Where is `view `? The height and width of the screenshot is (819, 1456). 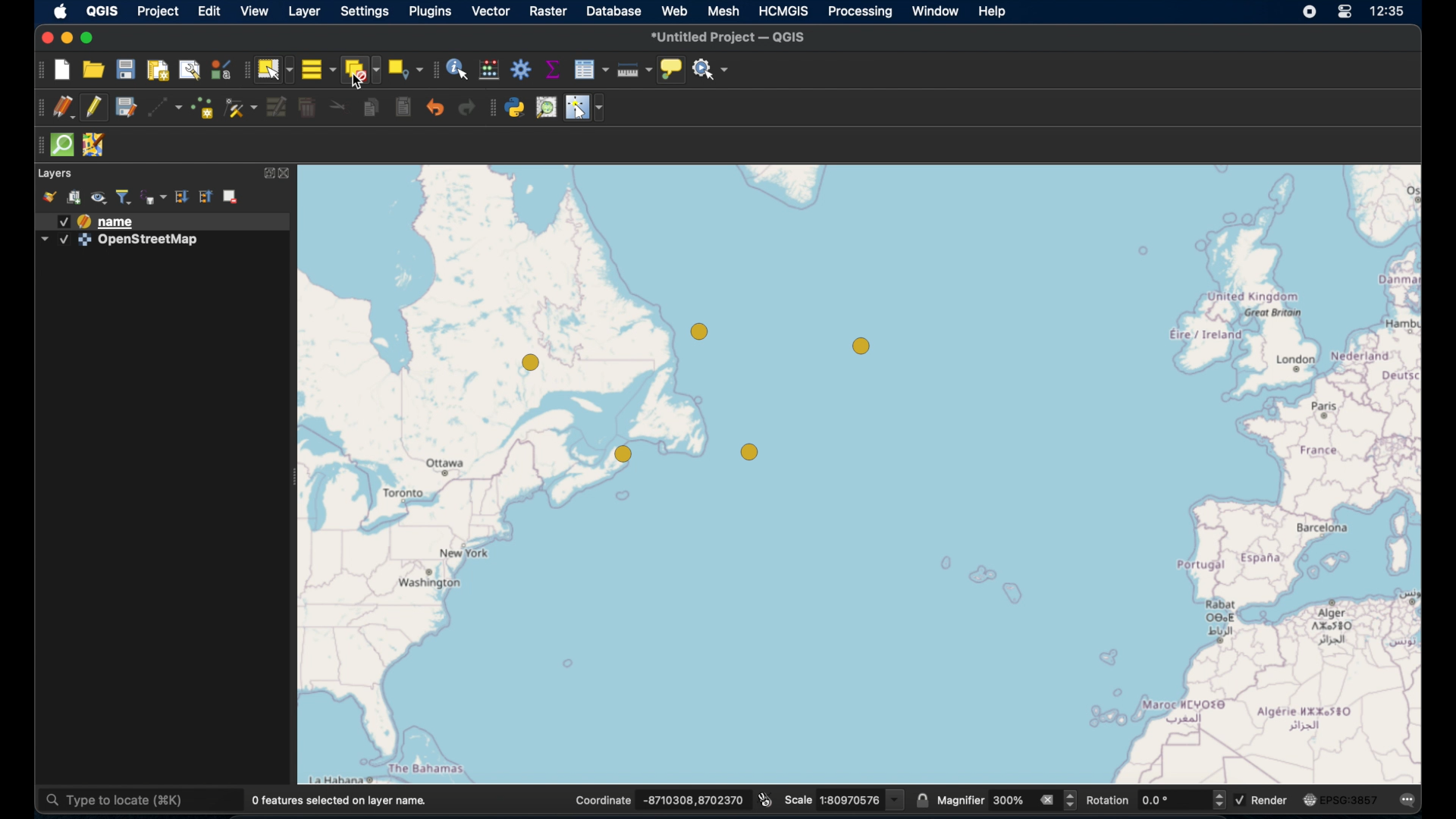 view  is located at coordinates (254, 13).